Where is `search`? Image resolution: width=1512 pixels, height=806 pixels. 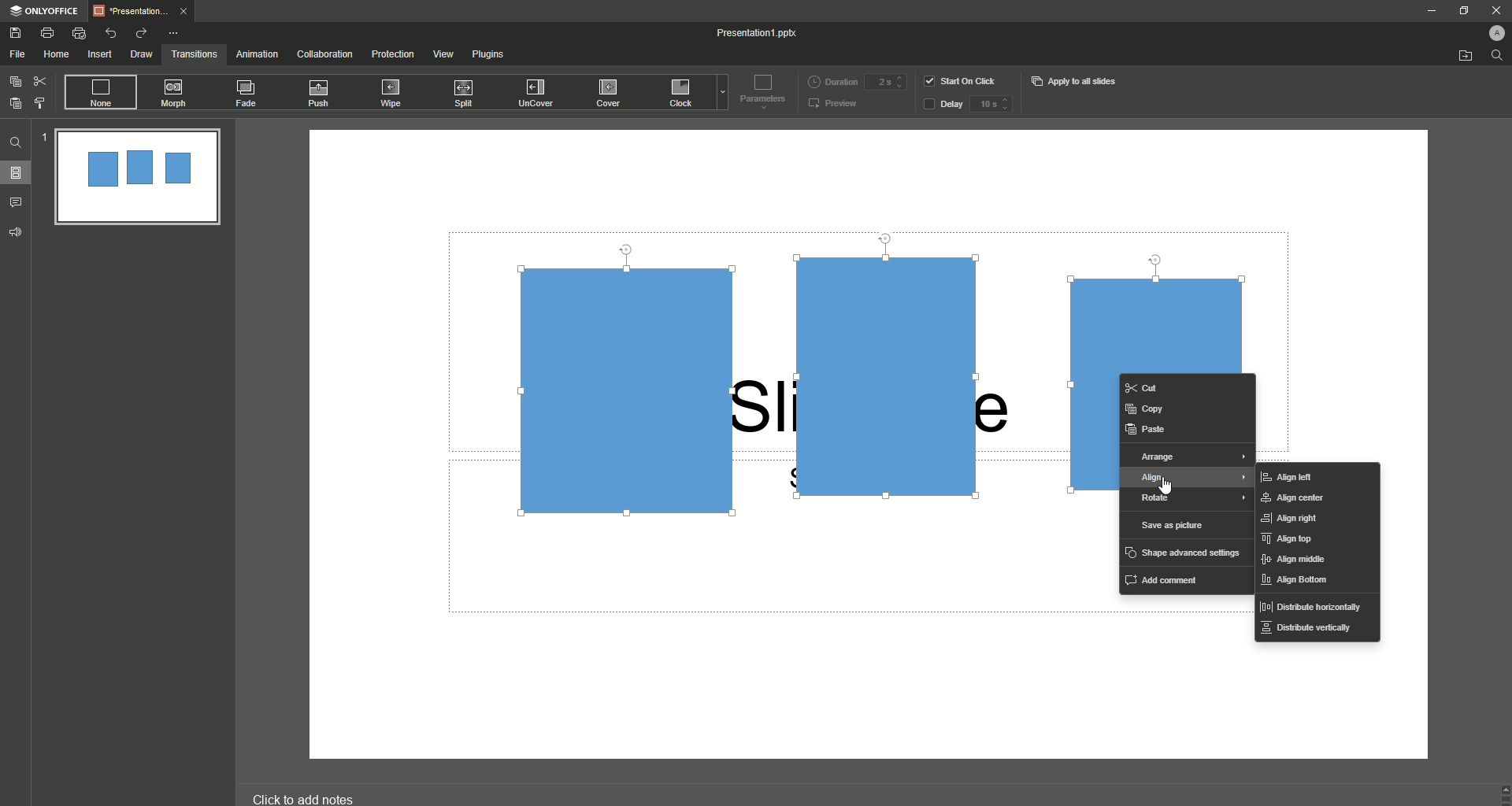 search is located at coordinates (1498, 59).